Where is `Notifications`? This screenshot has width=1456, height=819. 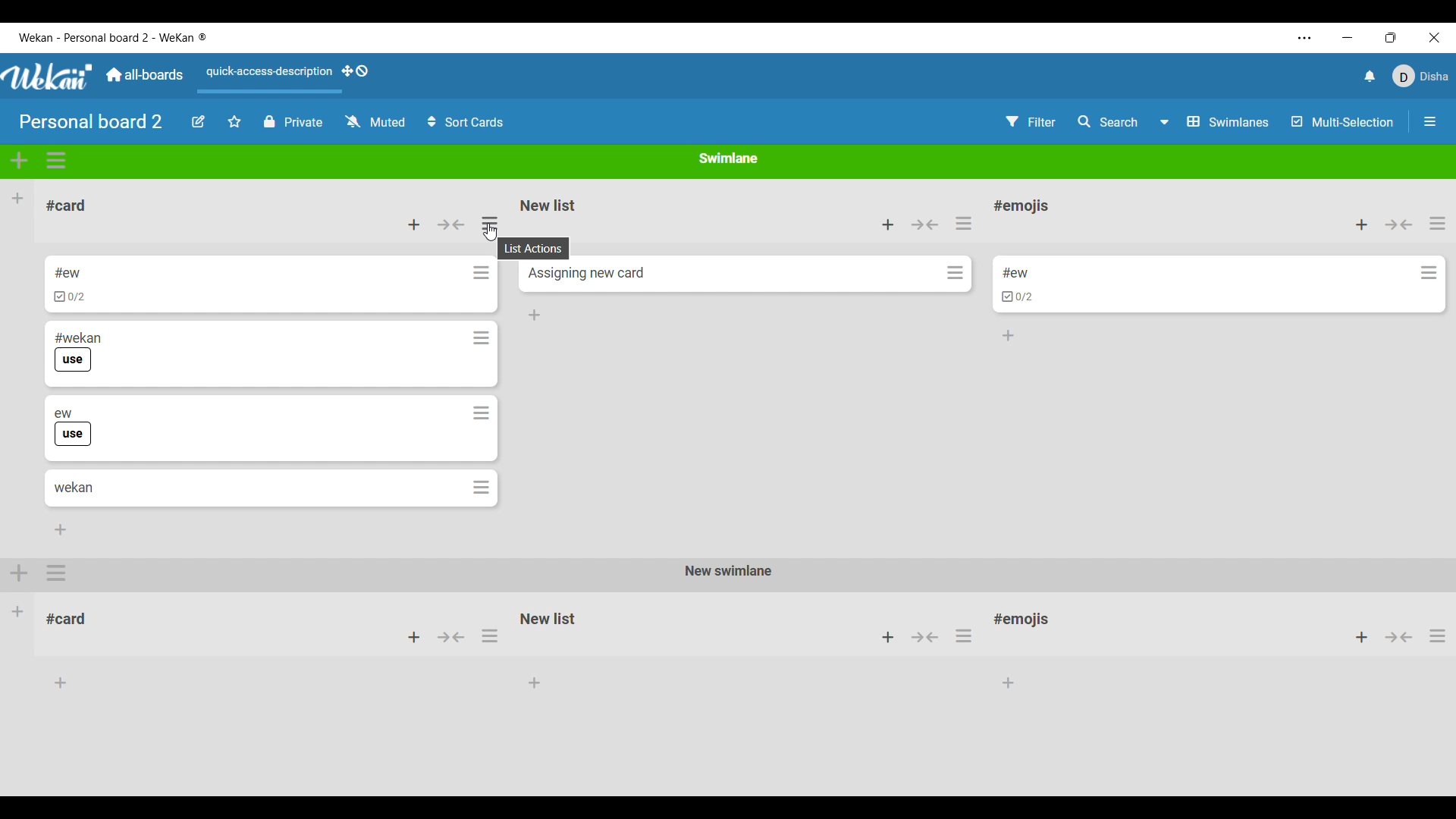
Notifications is located at coordinates (1371, 76).